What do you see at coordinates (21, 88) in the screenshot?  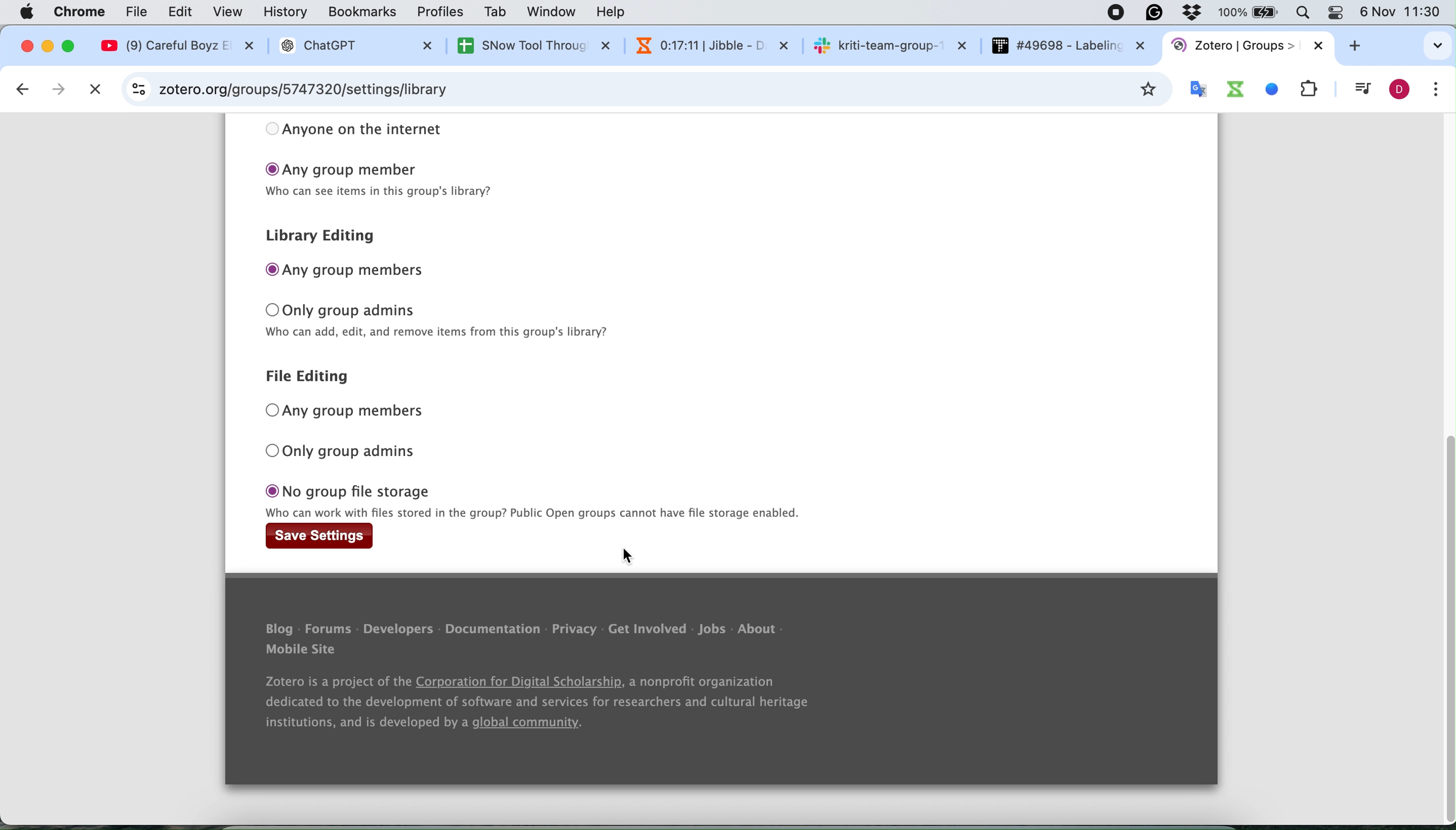 I see `go back` at bounding box center [21, 88].